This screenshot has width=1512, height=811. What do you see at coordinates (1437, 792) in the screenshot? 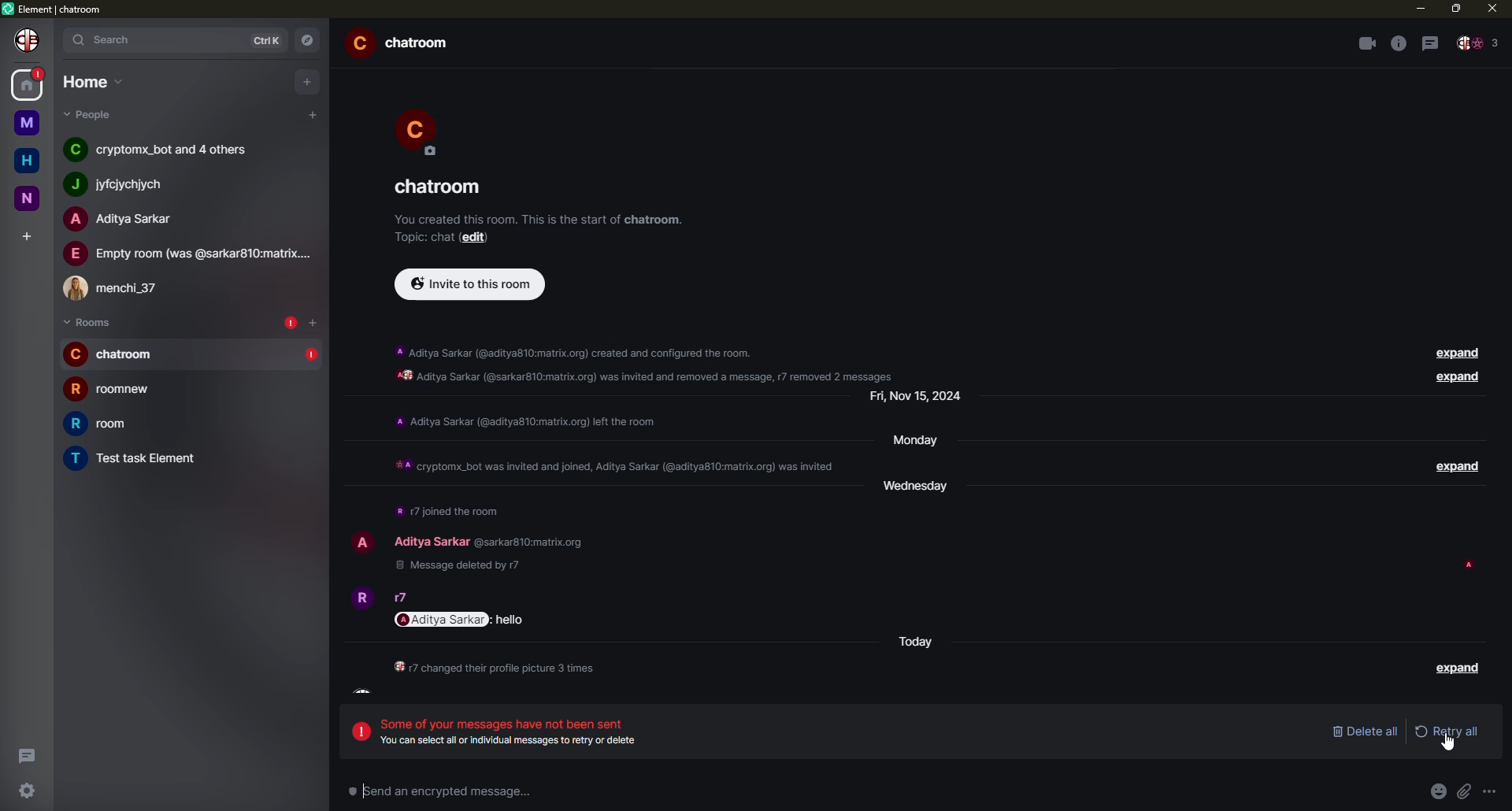
I see `emoji` at bounding box center [1437, 792].